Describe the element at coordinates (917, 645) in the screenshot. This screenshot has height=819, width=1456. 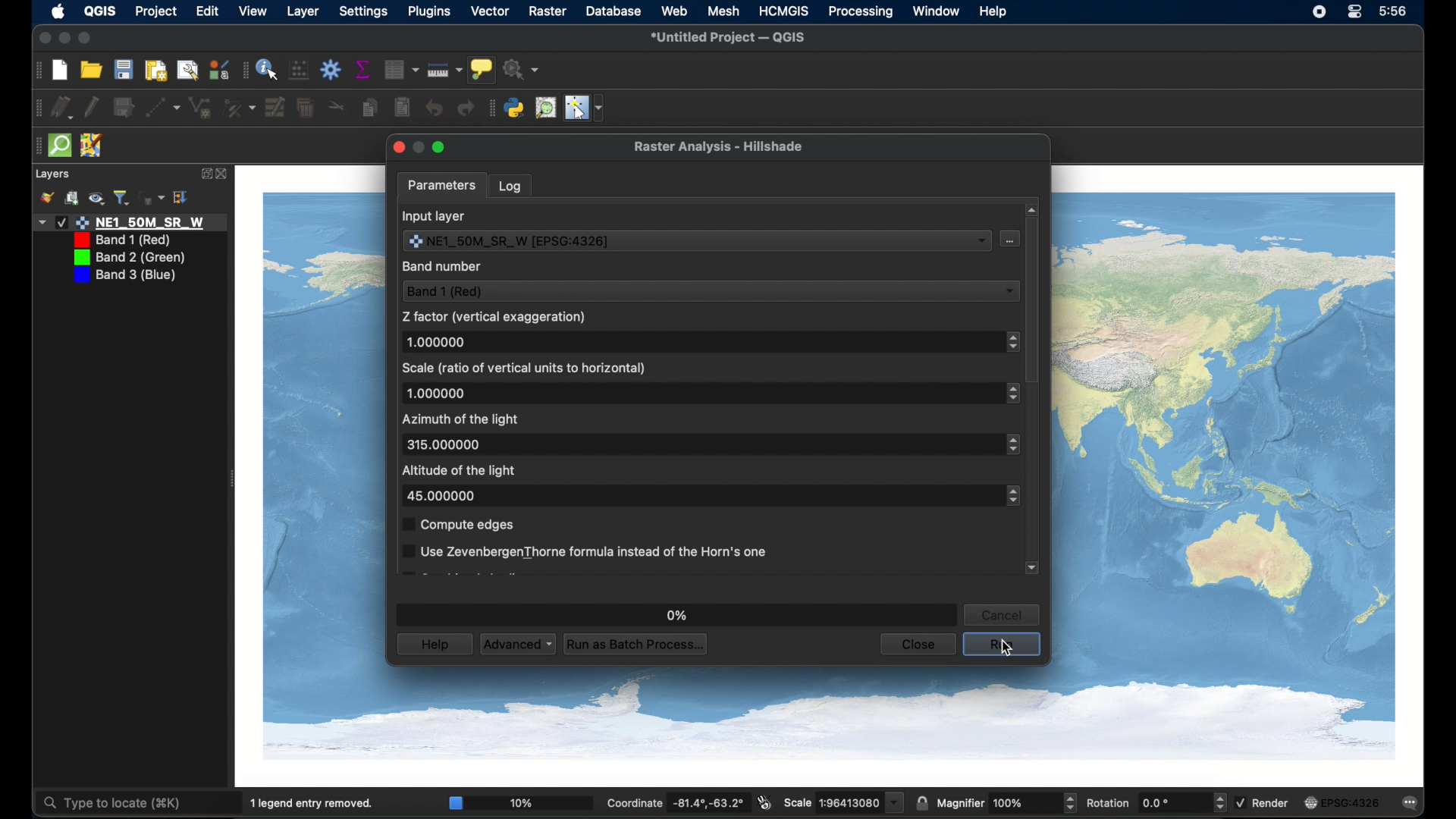
I see `close` at that location.